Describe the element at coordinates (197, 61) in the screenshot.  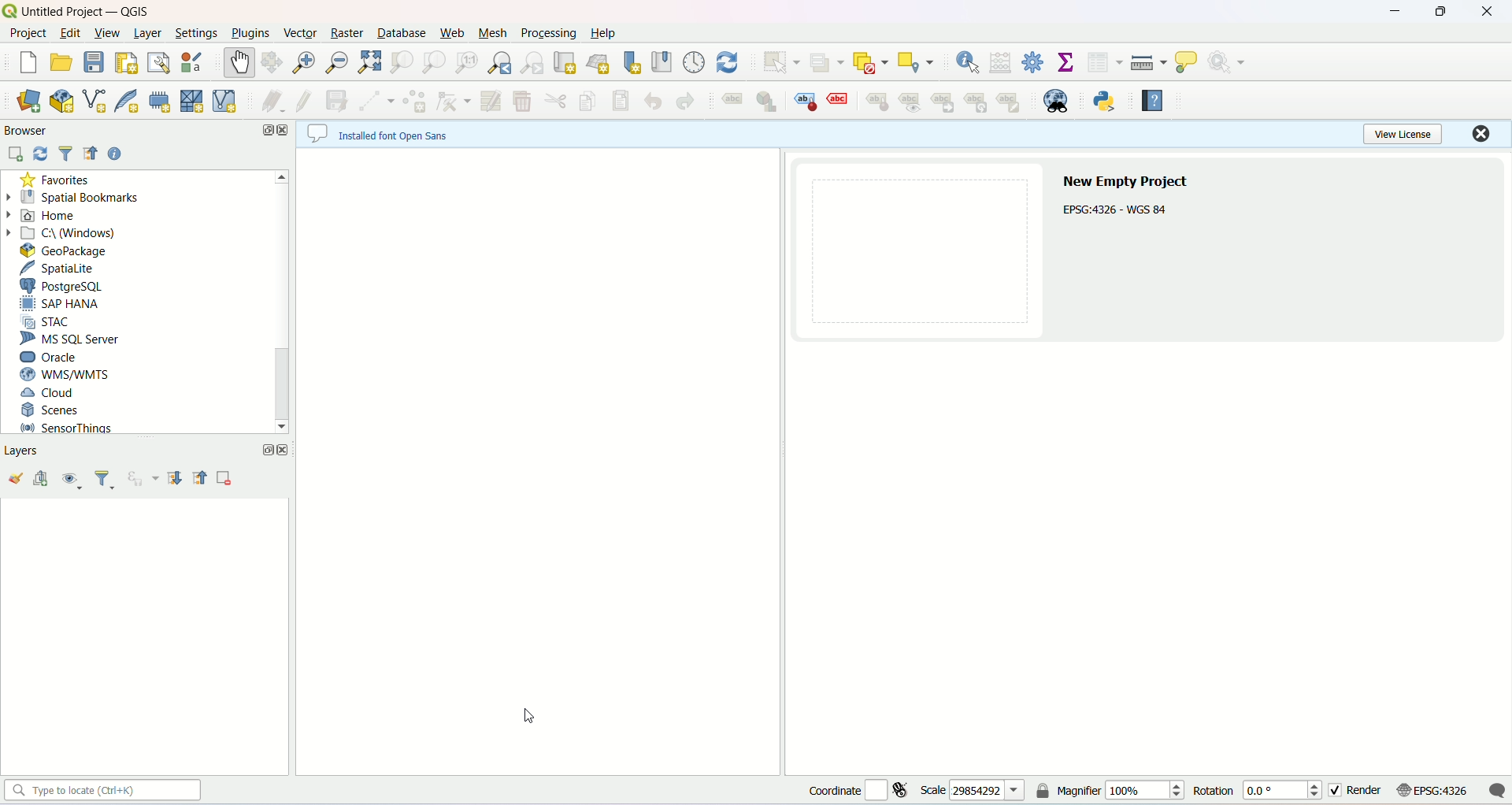
I see `style manager` at that location.